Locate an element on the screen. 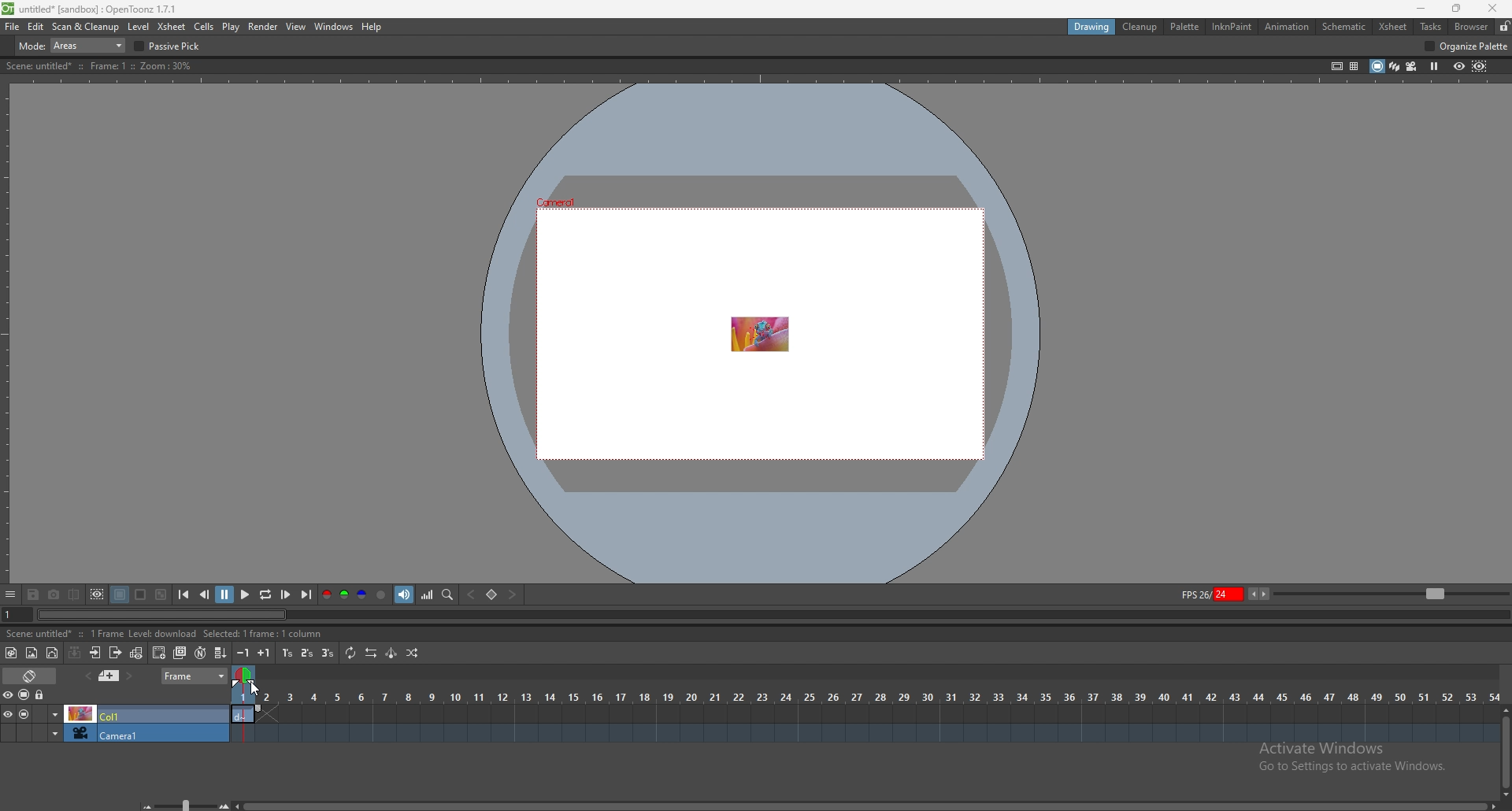  3d is located at coordinates (1395, 65).